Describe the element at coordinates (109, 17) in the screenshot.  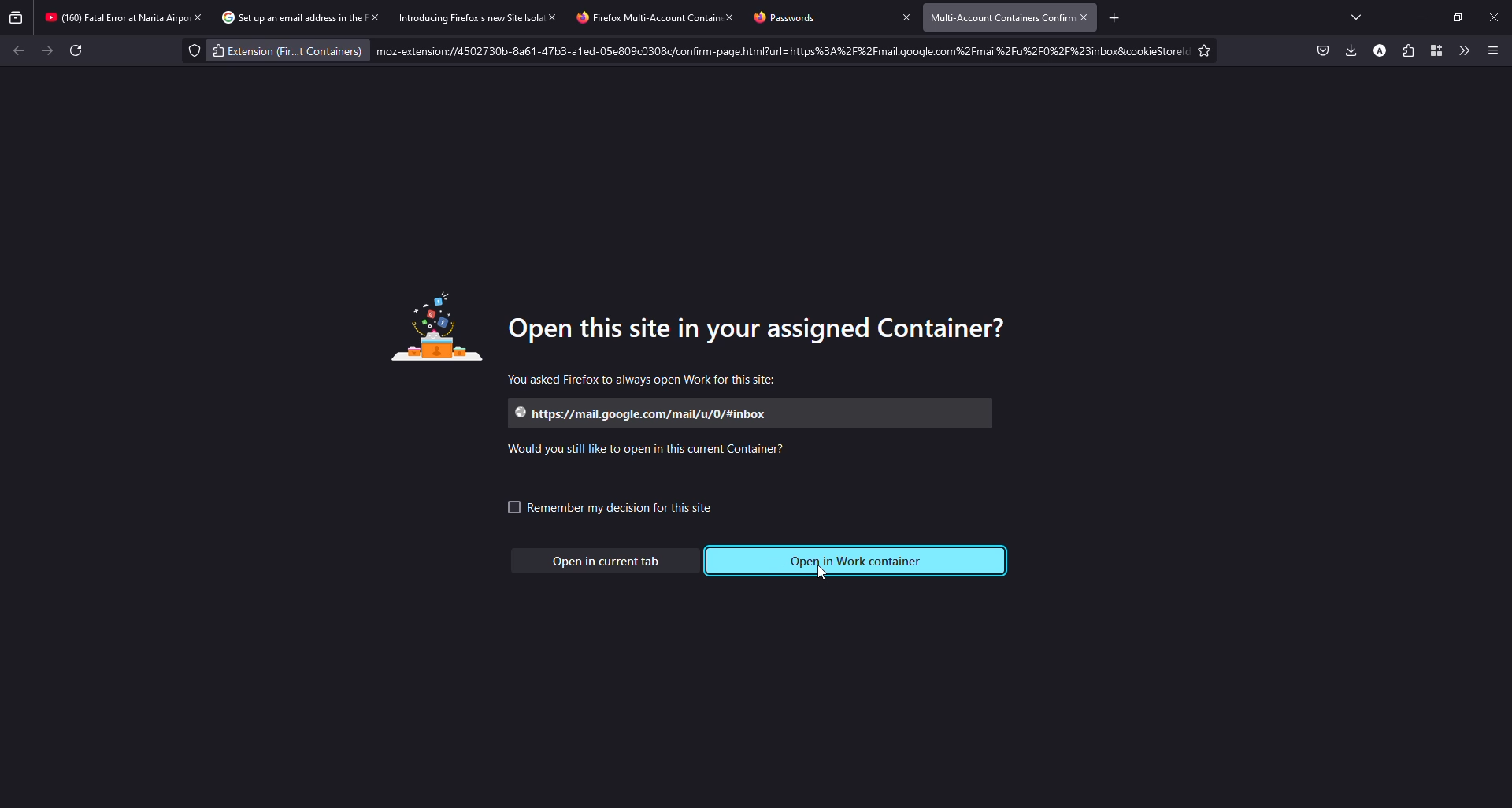
I see `' (160) Fatal Error at Narita Air` at that location.